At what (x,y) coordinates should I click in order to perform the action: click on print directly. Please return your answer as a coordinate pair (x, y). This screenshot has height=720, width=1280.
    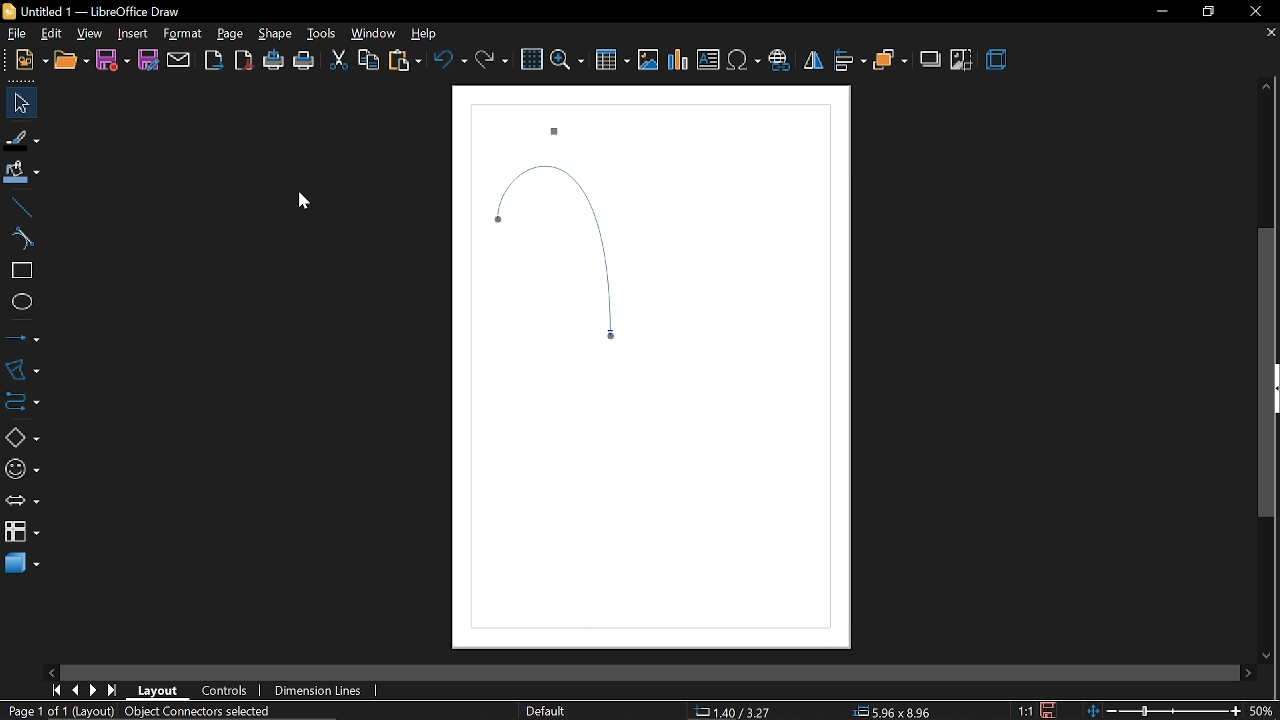
    Looking at the image, I should click on (274, 62).